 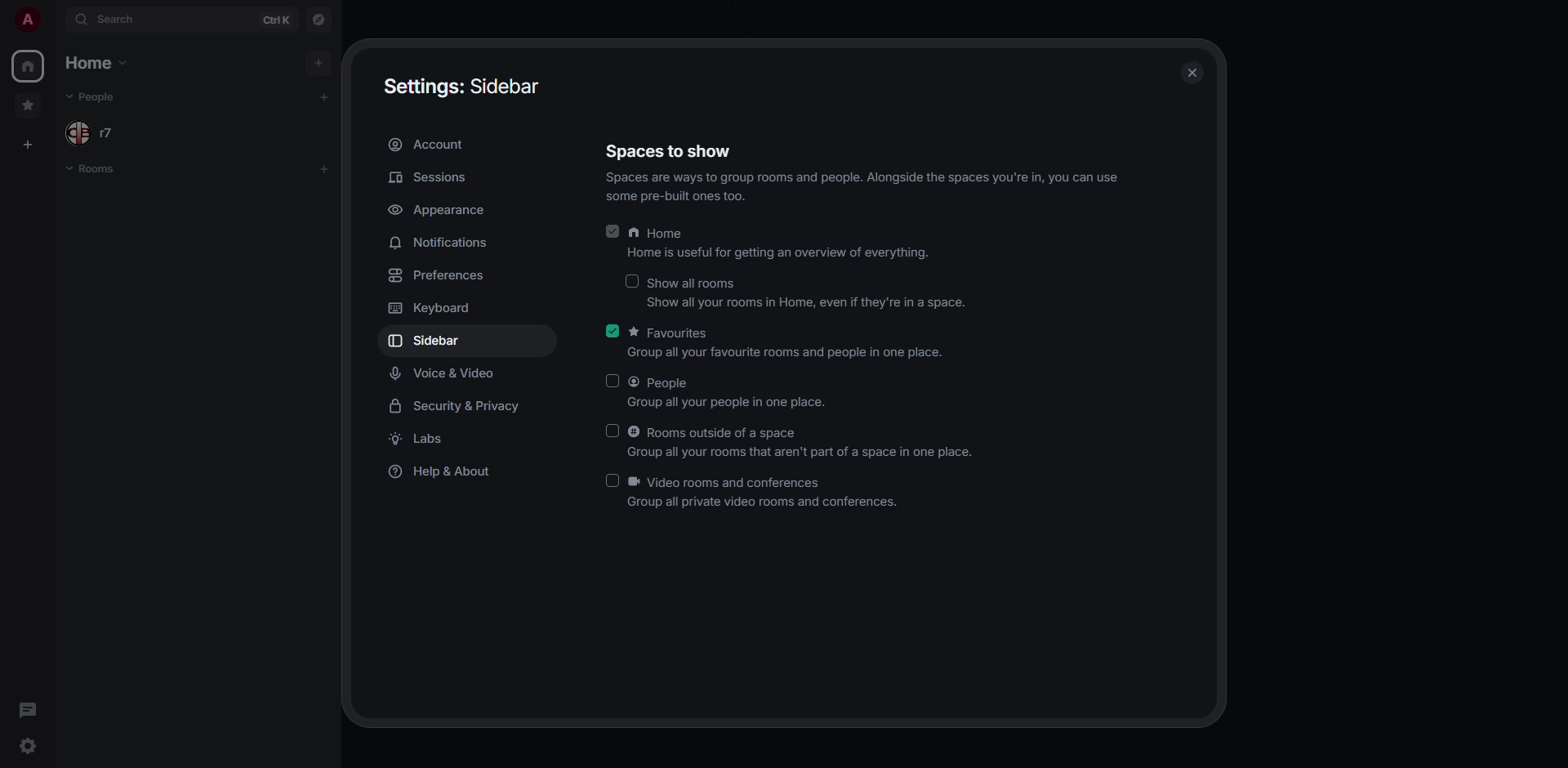 What do you see at coordinates (864, 187) in the screenshot?
I see `Spaces are ways to group rooms and people. Alongside the spaces you're in, you can use
‘some pre-built ones too.` at bounding box center [864, 187].